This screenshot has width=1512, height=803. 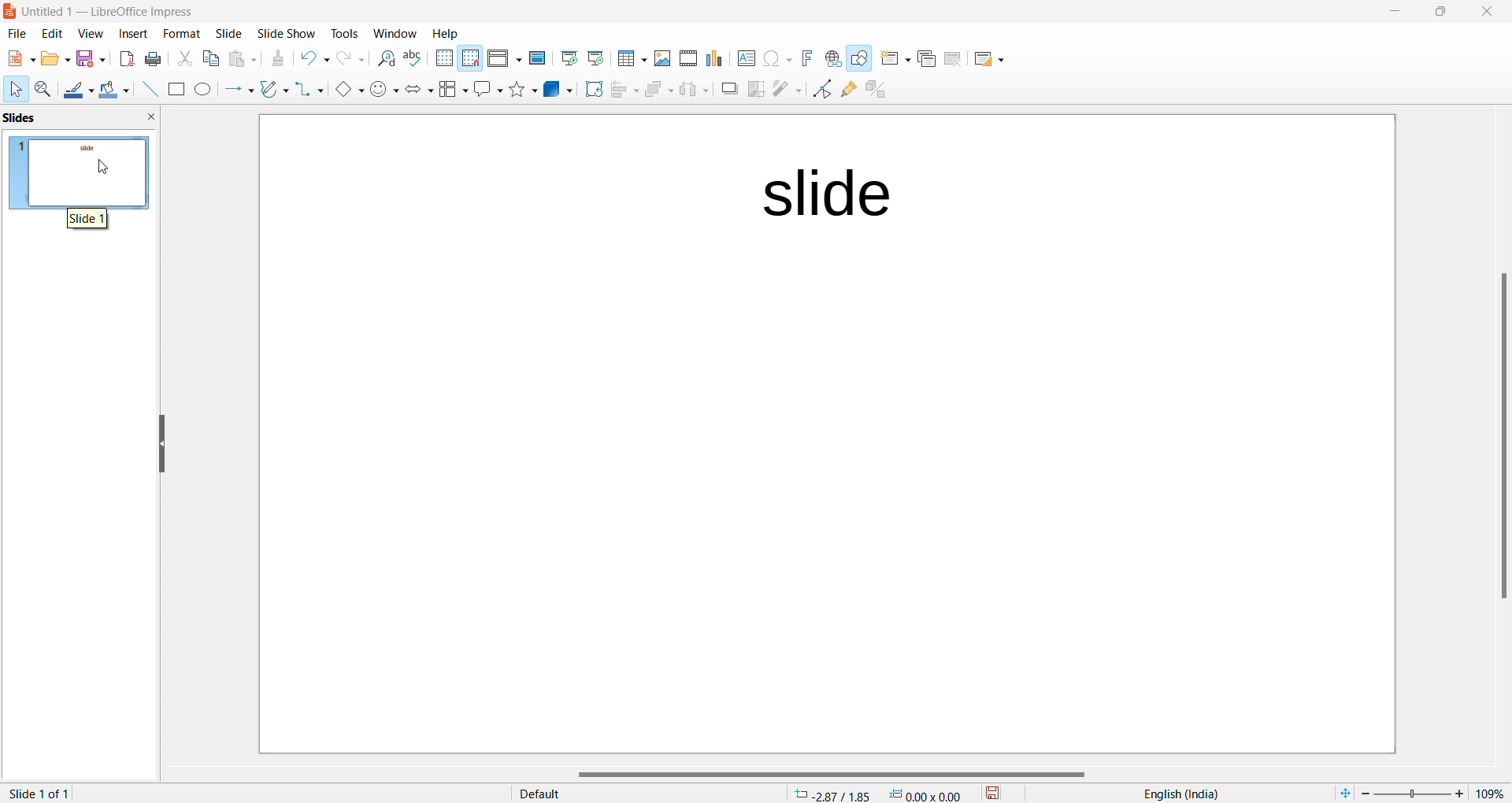 What do you see at coordinates (595, 60) in the screenshot?
I see `Start from current slide` at bounding box center [595, 60].